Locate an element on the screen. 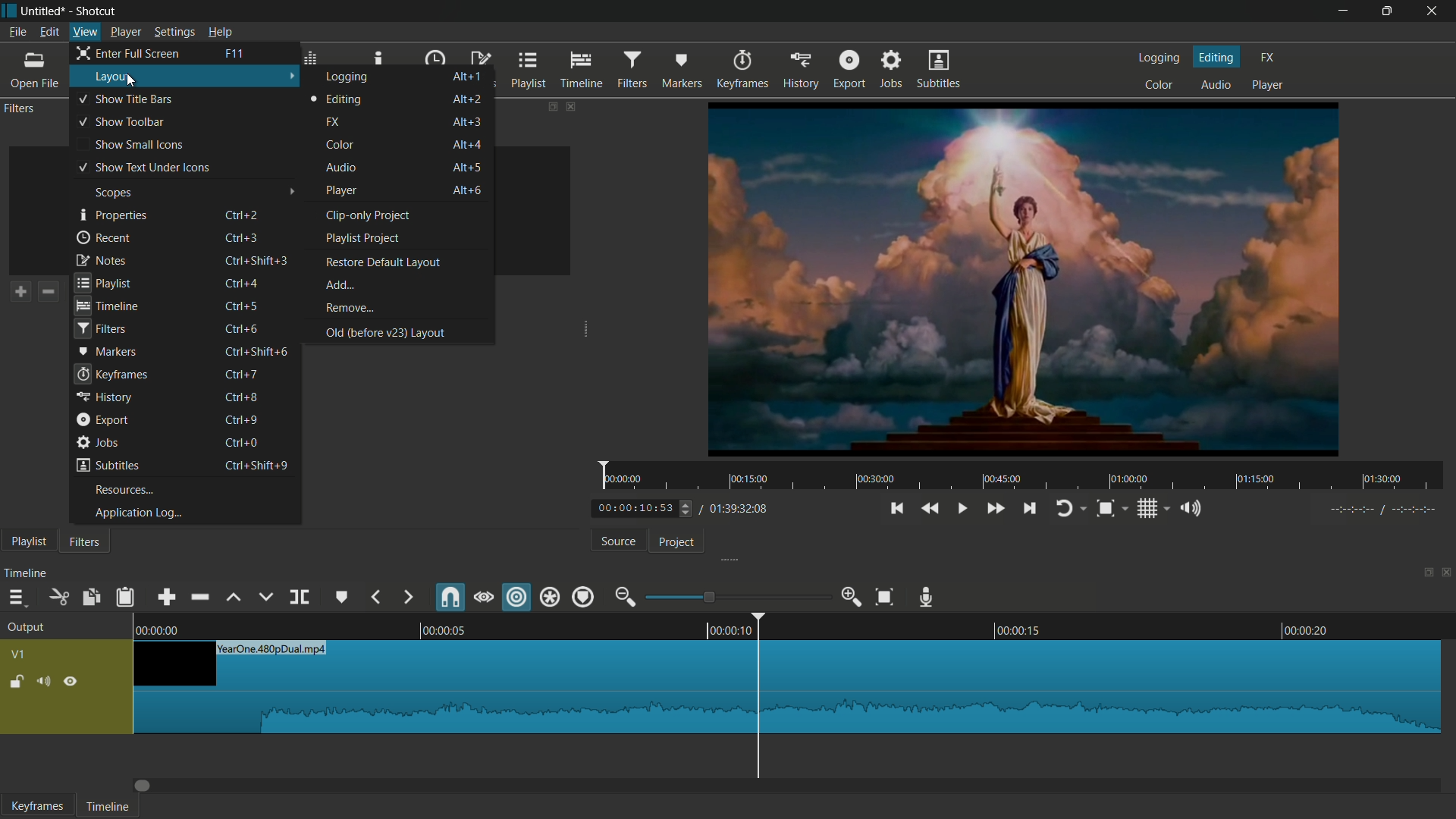 The width and height of the screenshot is (1456, 819). ripple markers is located at coordinates (584, 596).